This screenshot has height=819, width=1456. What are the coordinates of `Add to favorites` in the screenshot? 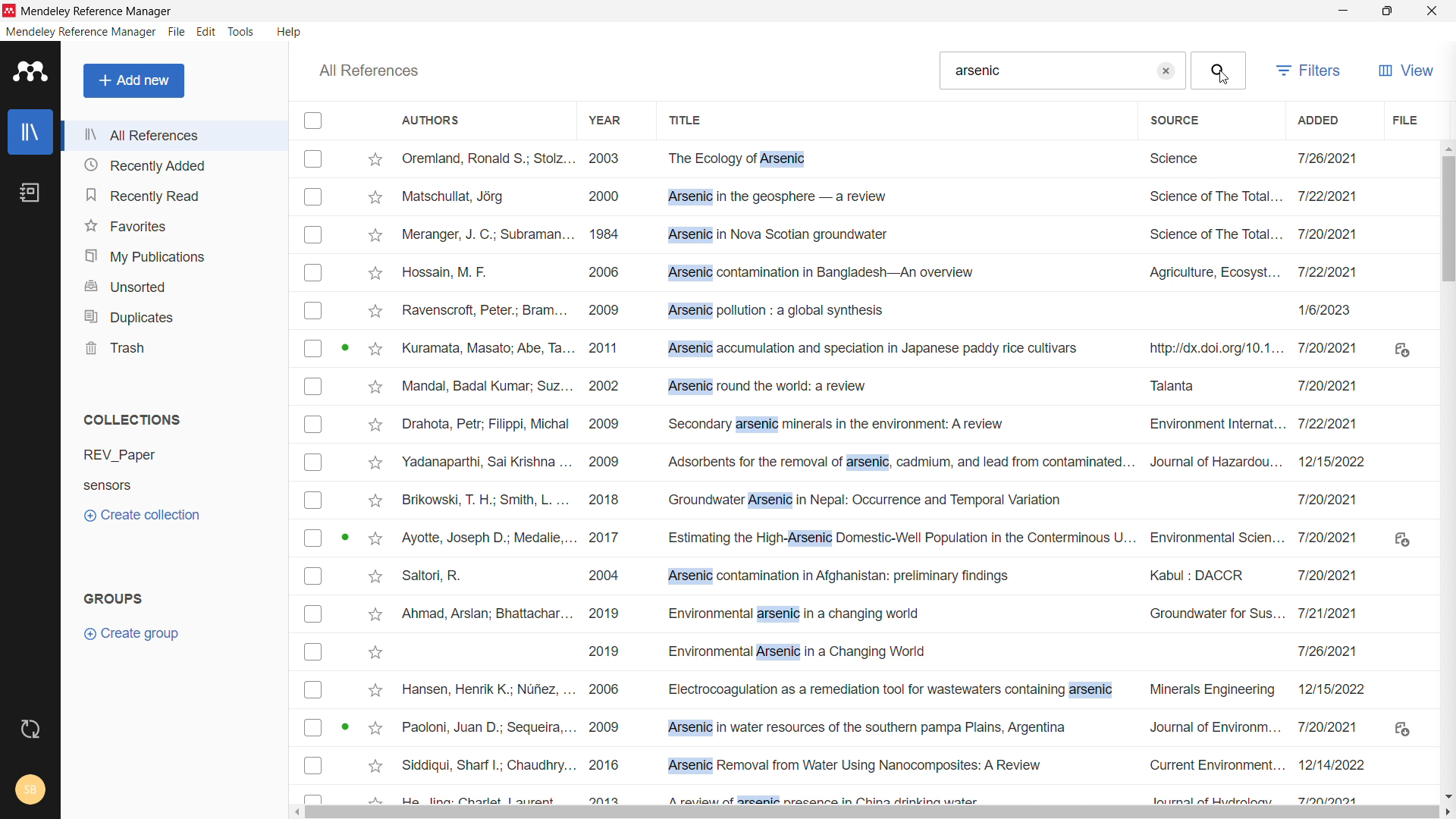 It's located at (378, 347).